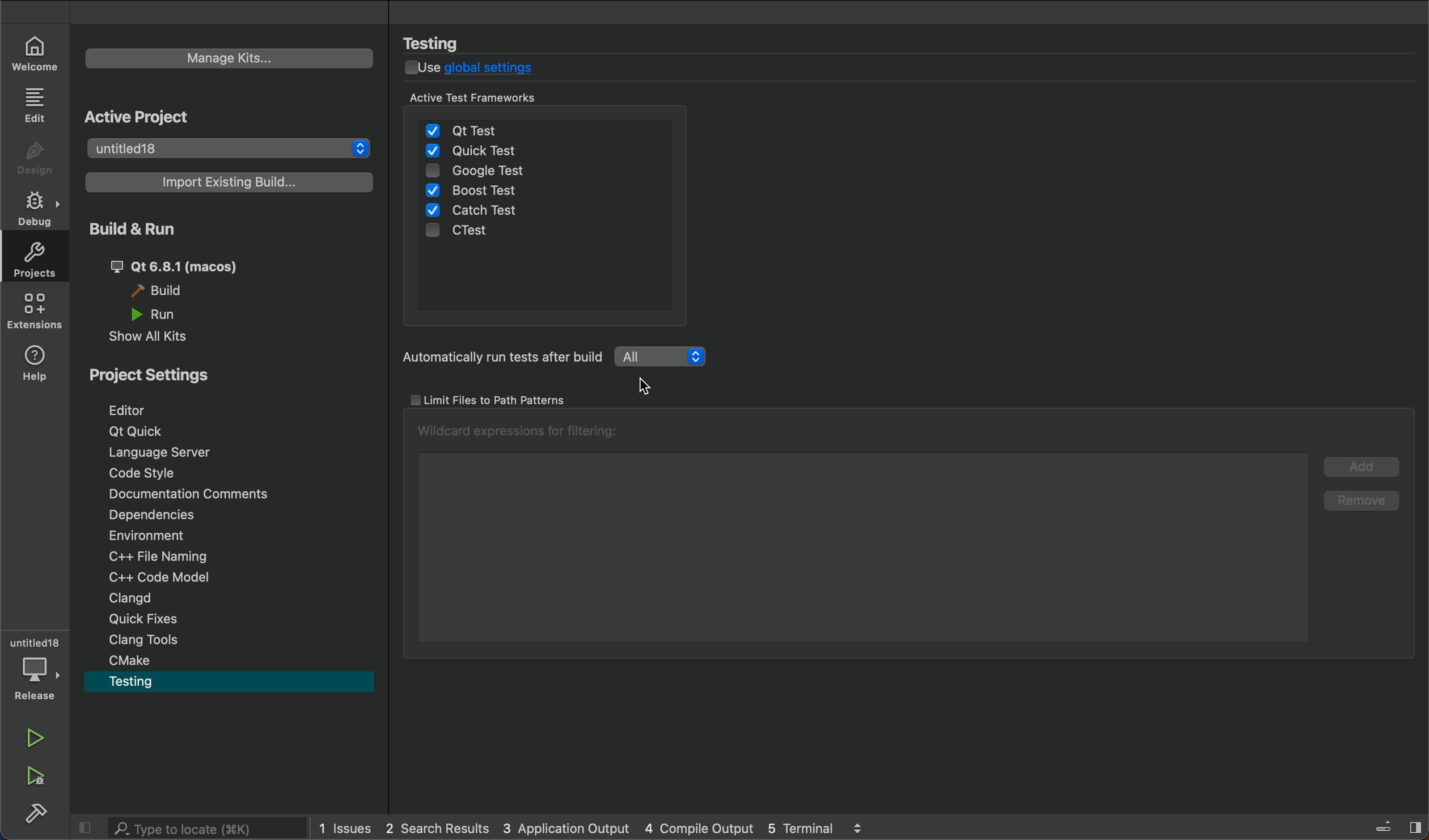 This screenshot has height=840, width=1429. I want to click on BUILD, so click(32, 812).